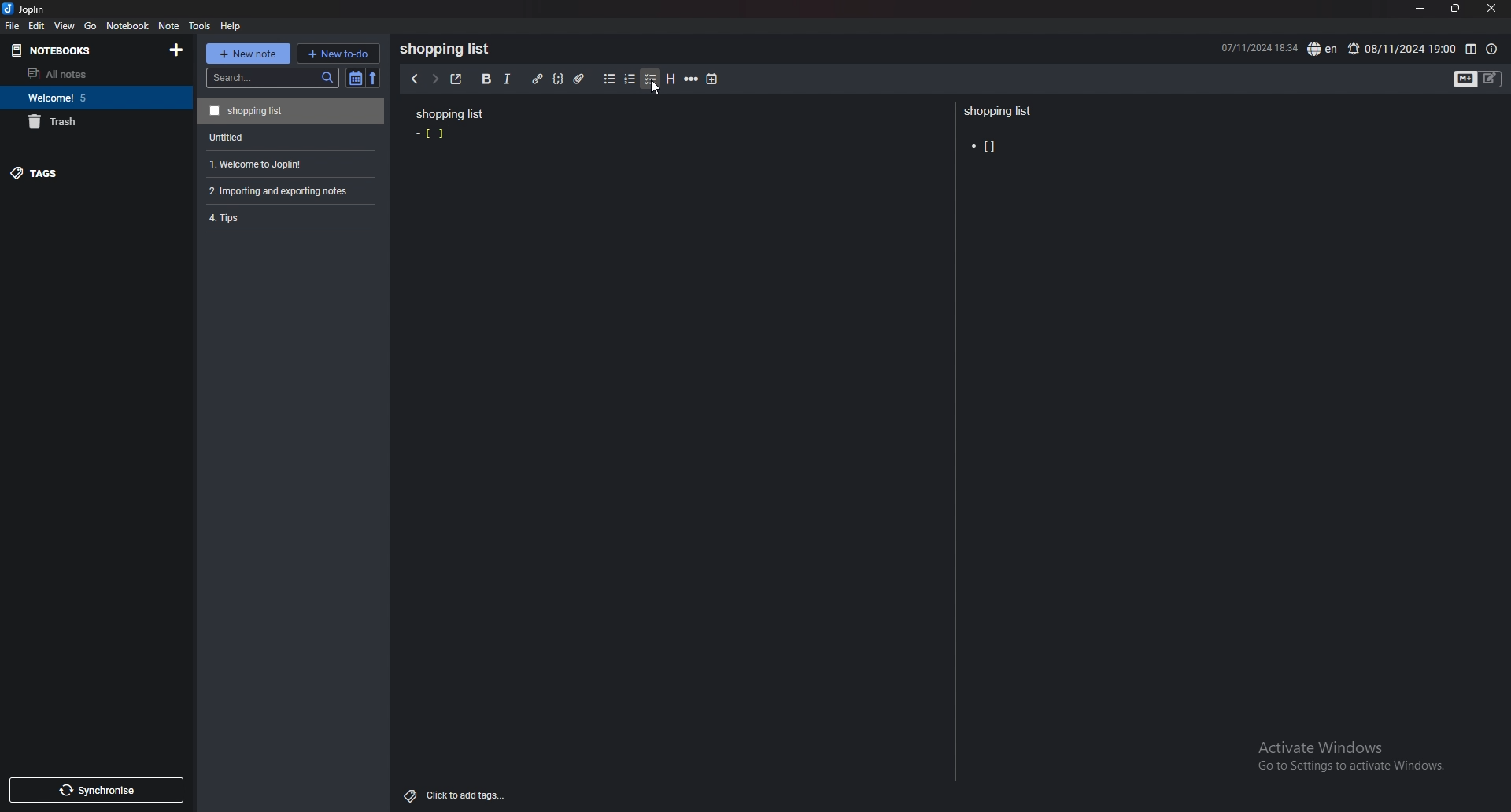 The width and height of the screenshot is (1511, 812). I want to click on bold, so click(486, 79).